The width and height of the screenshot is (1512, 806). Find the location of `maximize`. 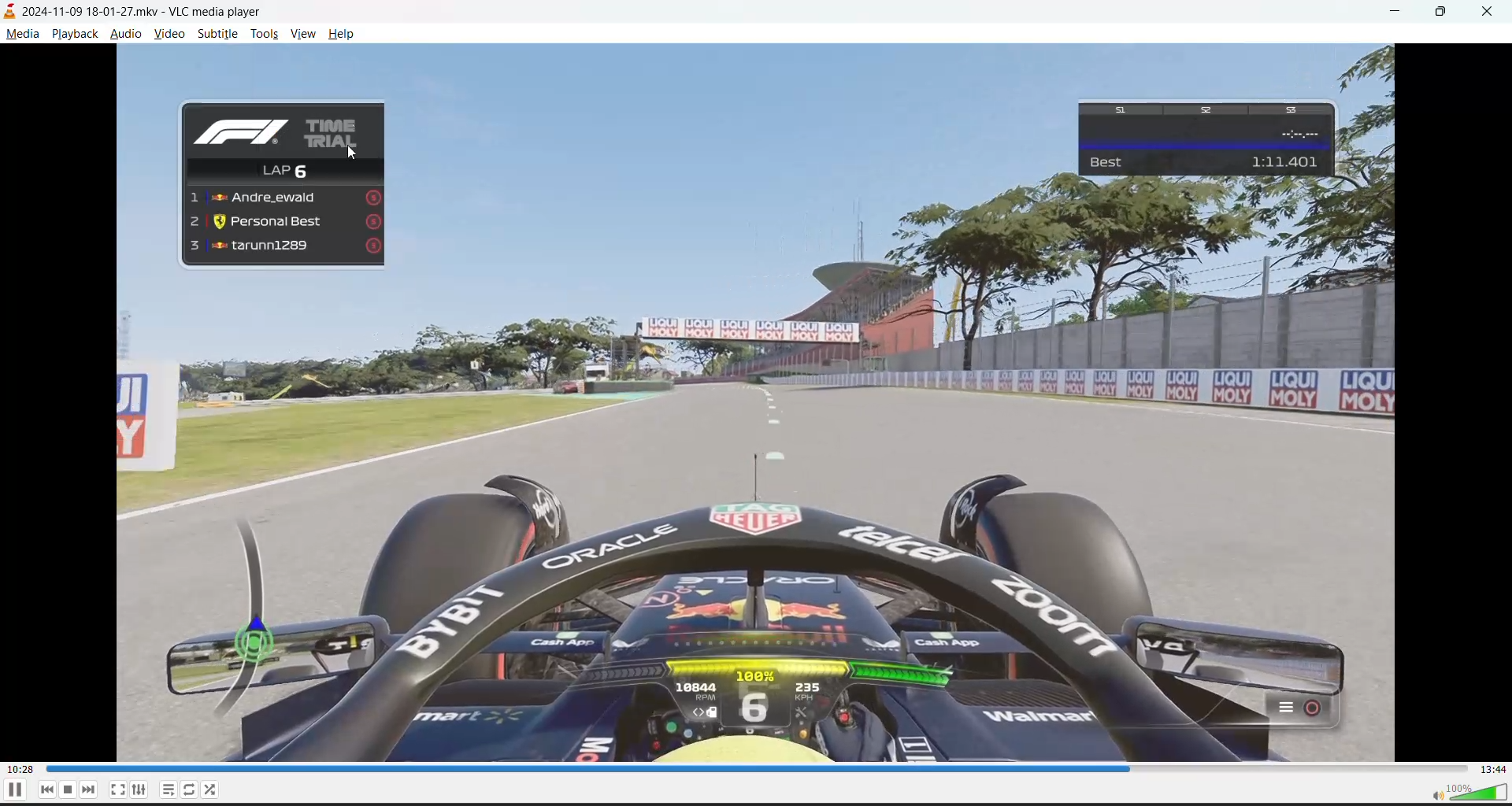

maximize is located at coordinates (1443, 13).